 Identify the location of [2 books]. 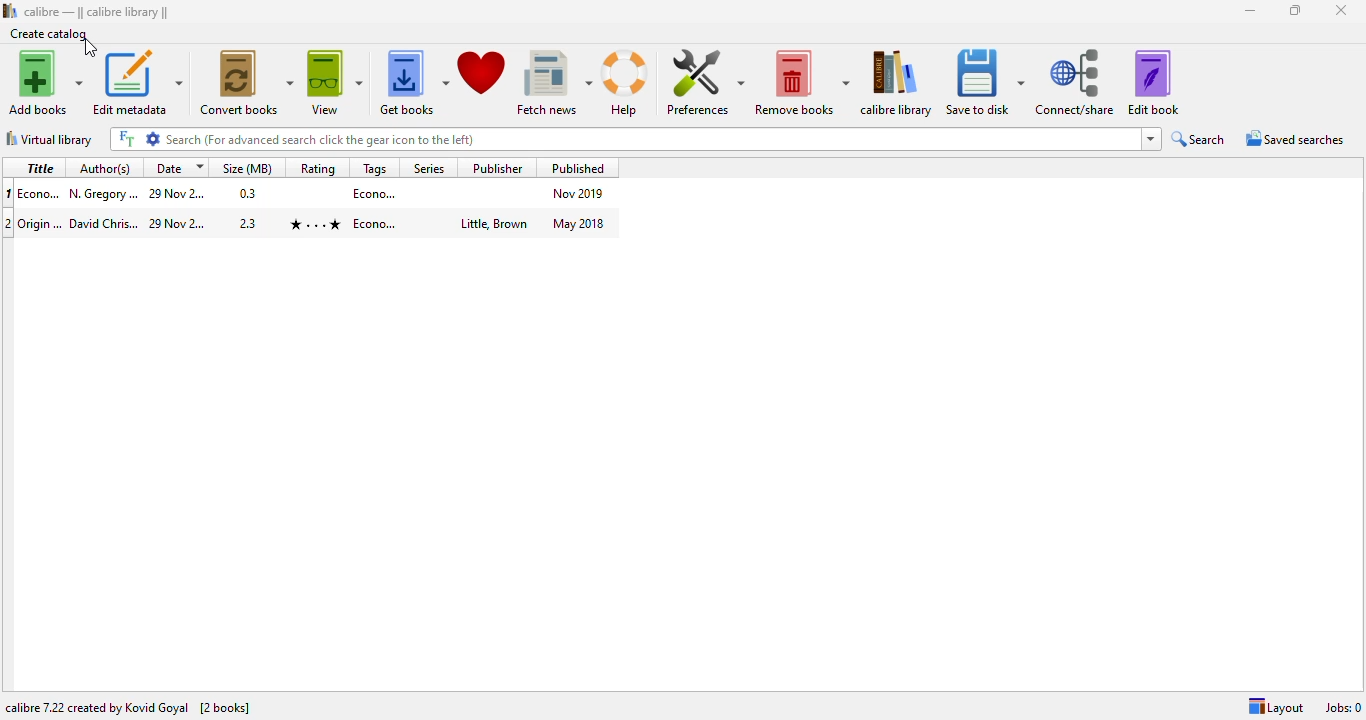
(225, 707).